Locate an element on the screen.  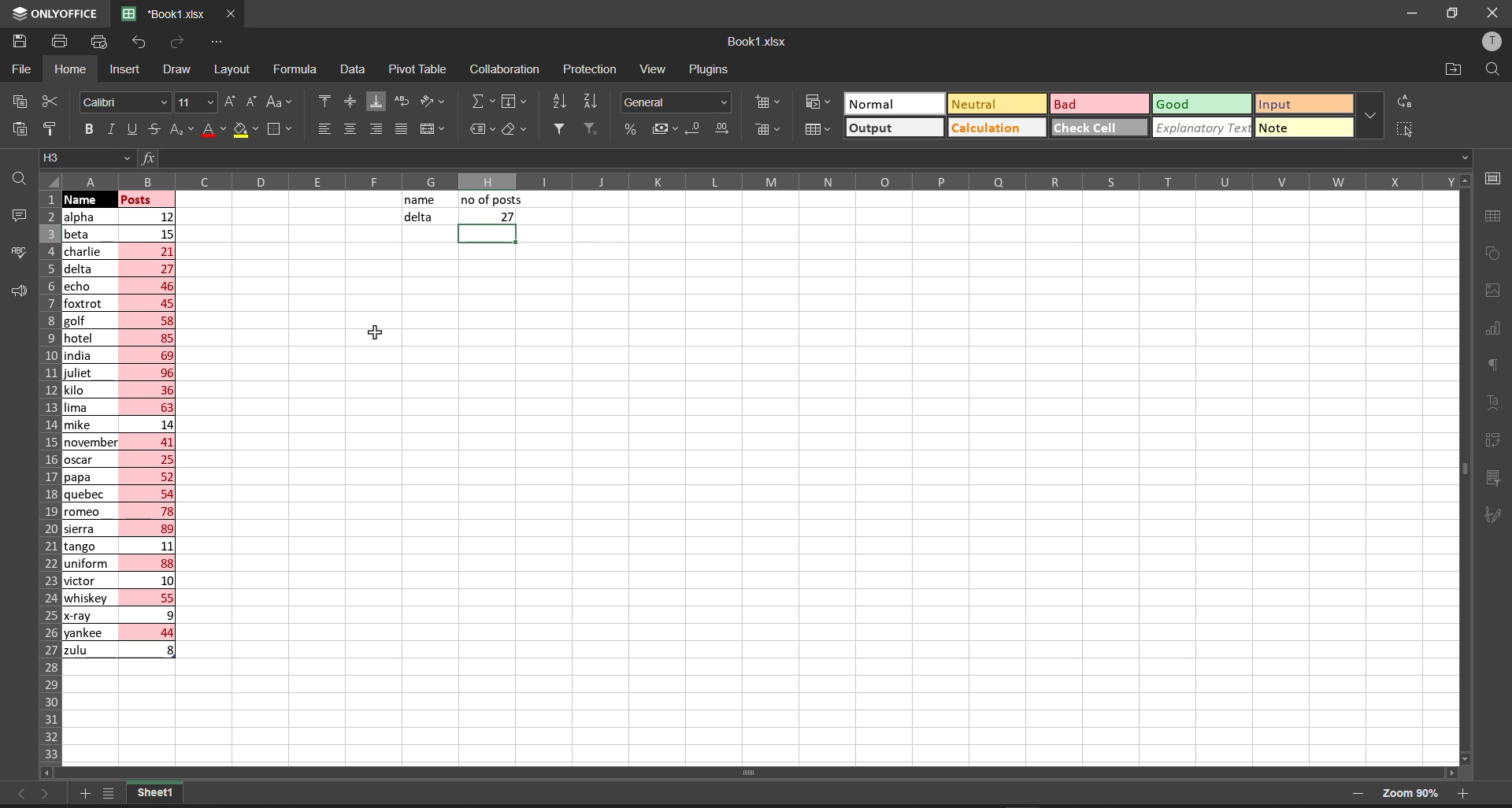
column names is located at coordinates (764, 181).